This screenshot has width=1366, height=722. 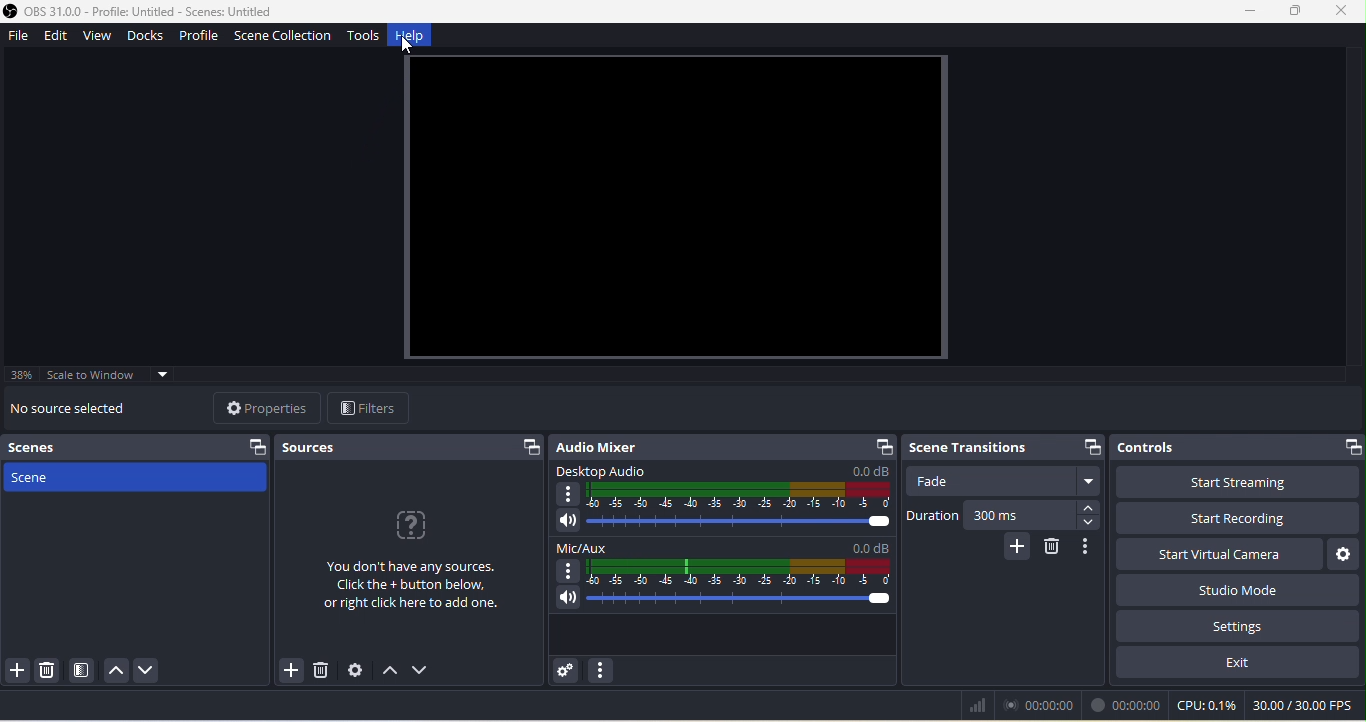 What do you see at coordinates (199, 38) in the screenshot?
I see `profile` at bounding box center [199, 38].